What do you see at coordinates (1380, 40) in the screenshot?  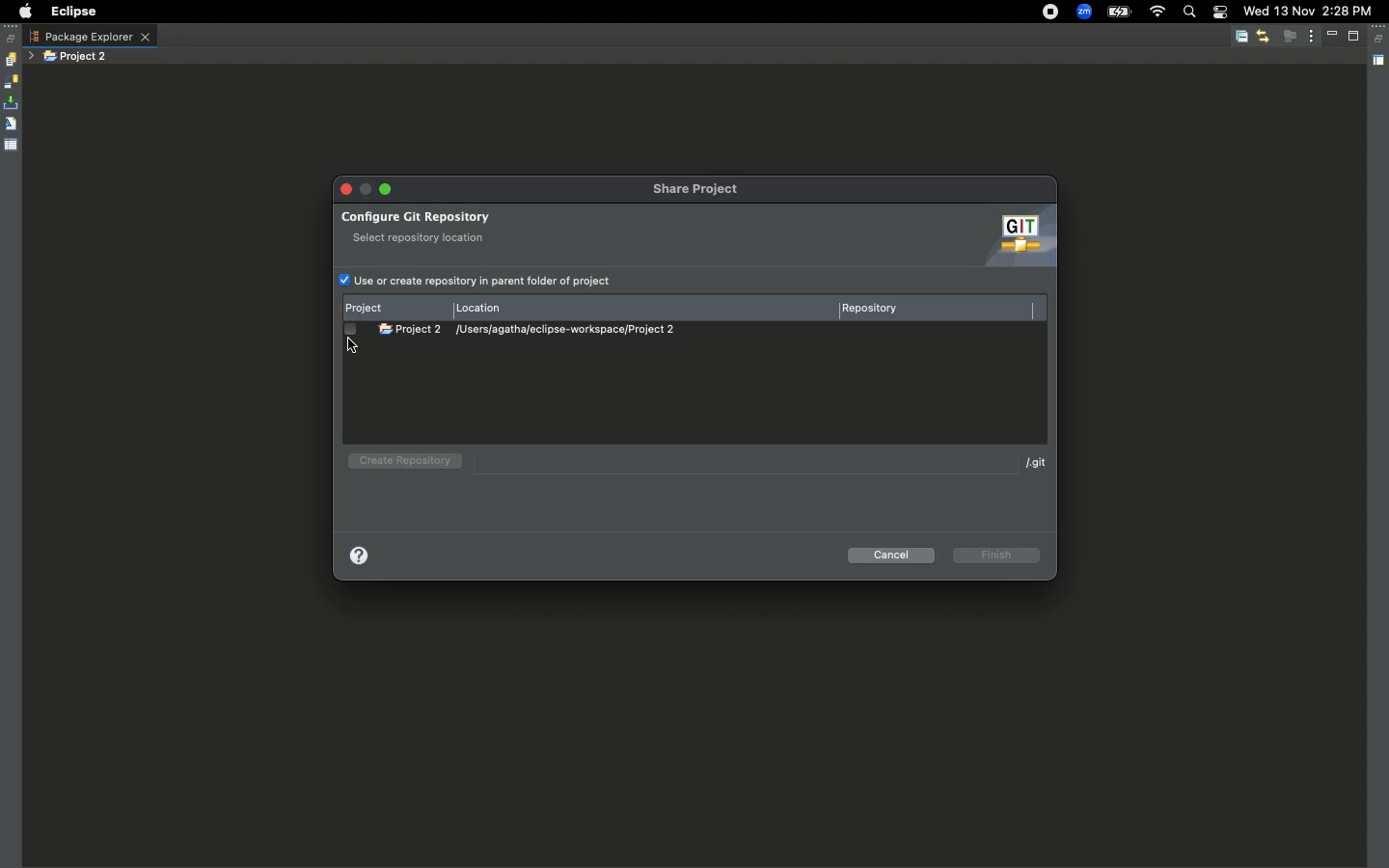 I see `Restore` at bounding box center [1380, 40].